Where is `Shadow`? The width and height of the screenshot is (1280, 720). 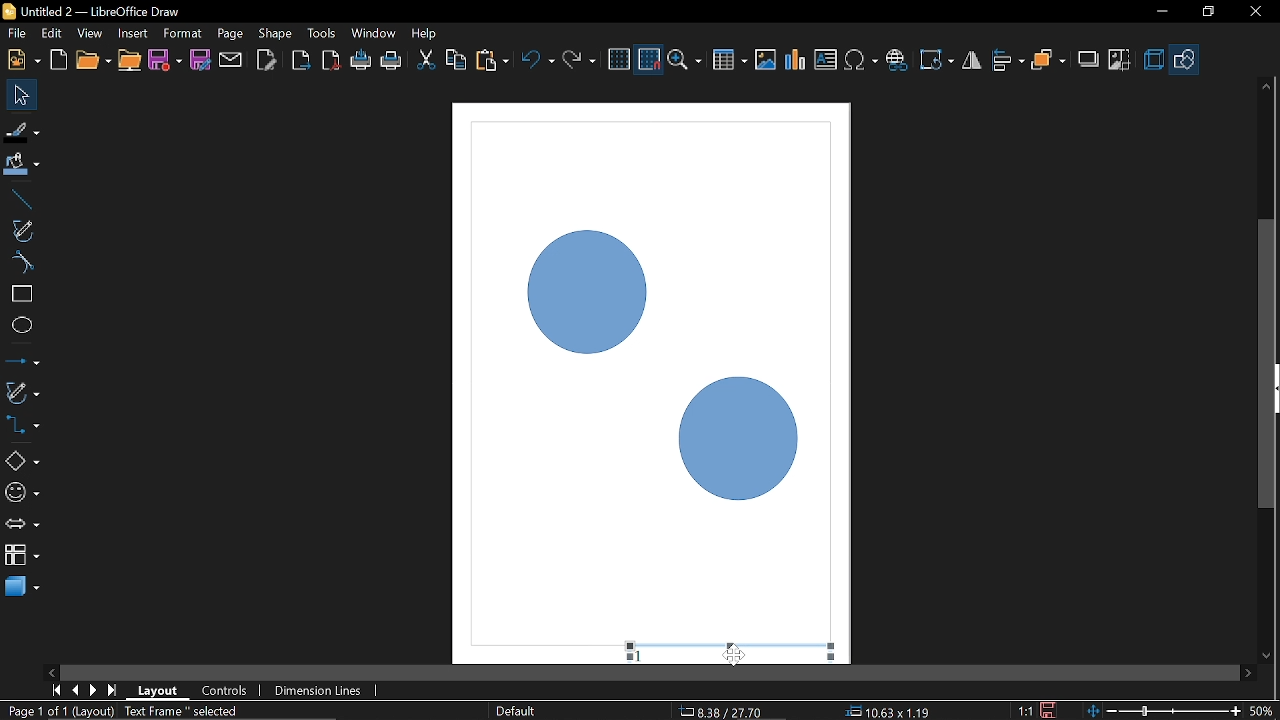
Shadow is located at coordinates (1089, 62).